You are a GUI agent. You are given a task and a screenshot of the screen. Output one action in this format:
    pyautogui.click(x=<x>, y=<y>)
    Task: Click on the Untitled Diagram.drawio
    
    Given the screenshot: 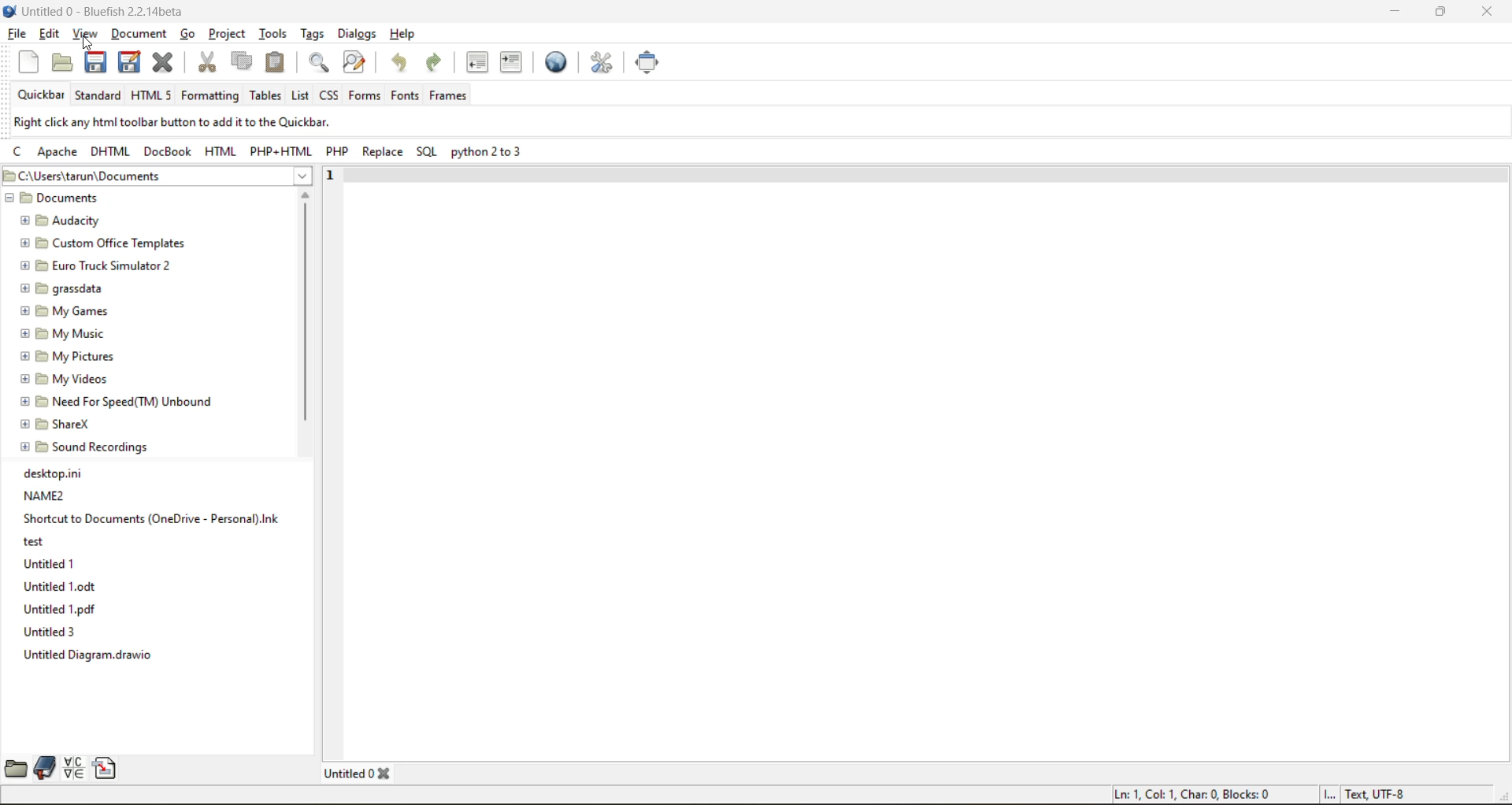 What is the action you would take?
    pyautogui.click(x=92, y=658)
    